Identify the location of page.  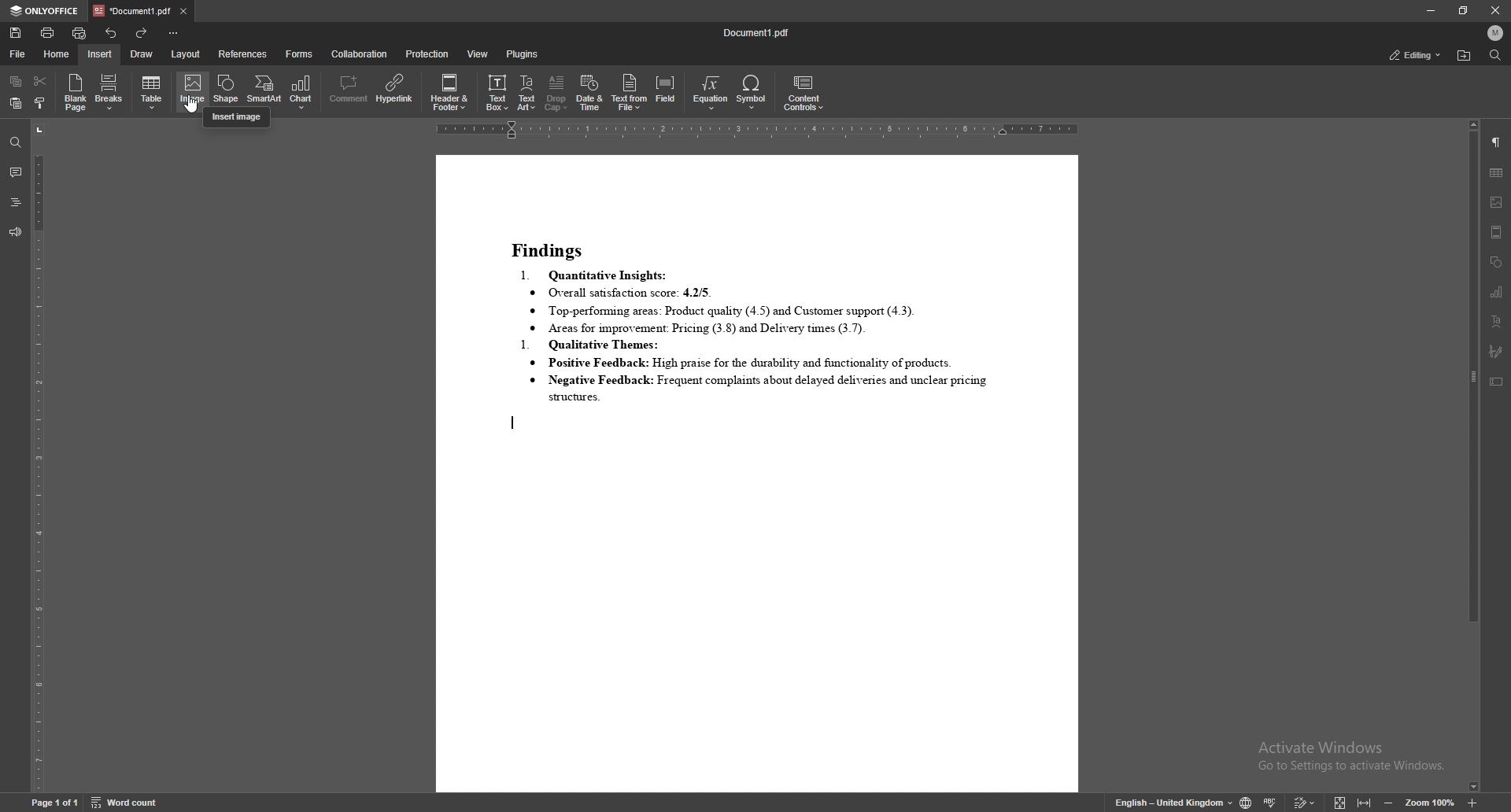
(54, 801).